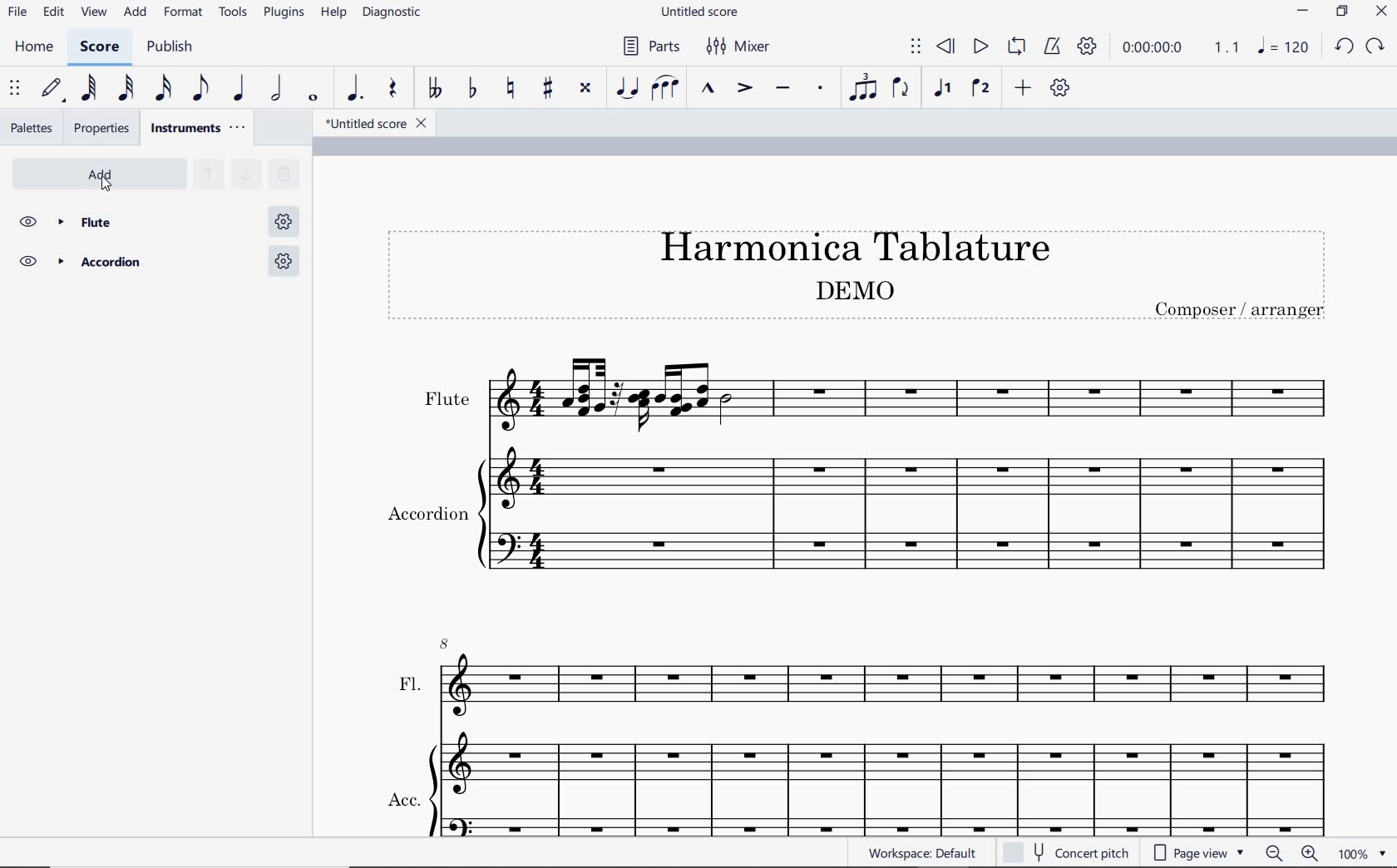  What do you see at coordinates (183, 13) in the screenshot?
I see `FORMAT` at bounding box center [183, 13].